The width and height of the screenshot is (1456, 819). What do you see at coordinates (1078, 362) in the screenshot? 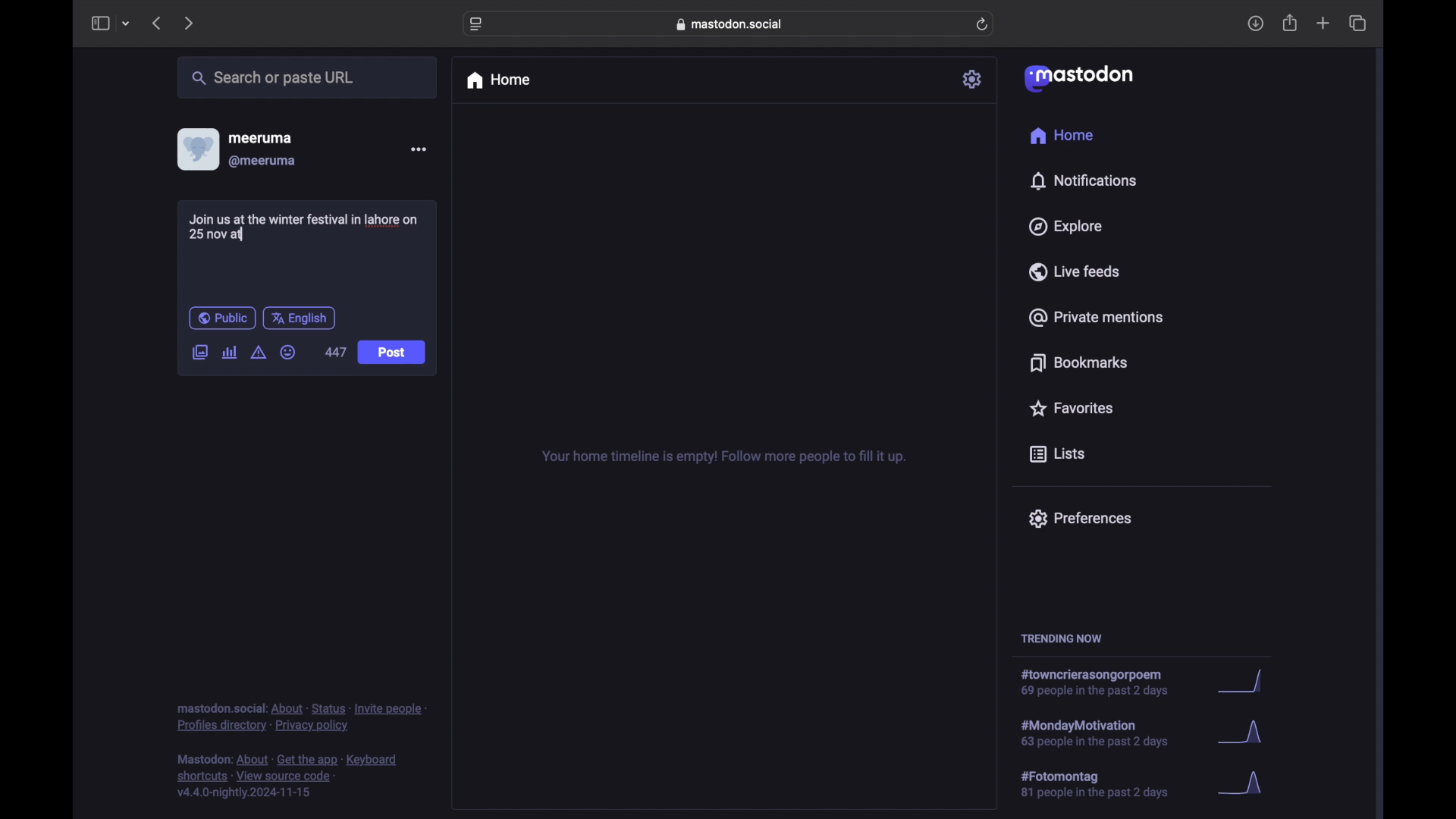
I see `bookmarks` at bounding box center [1078, 362].